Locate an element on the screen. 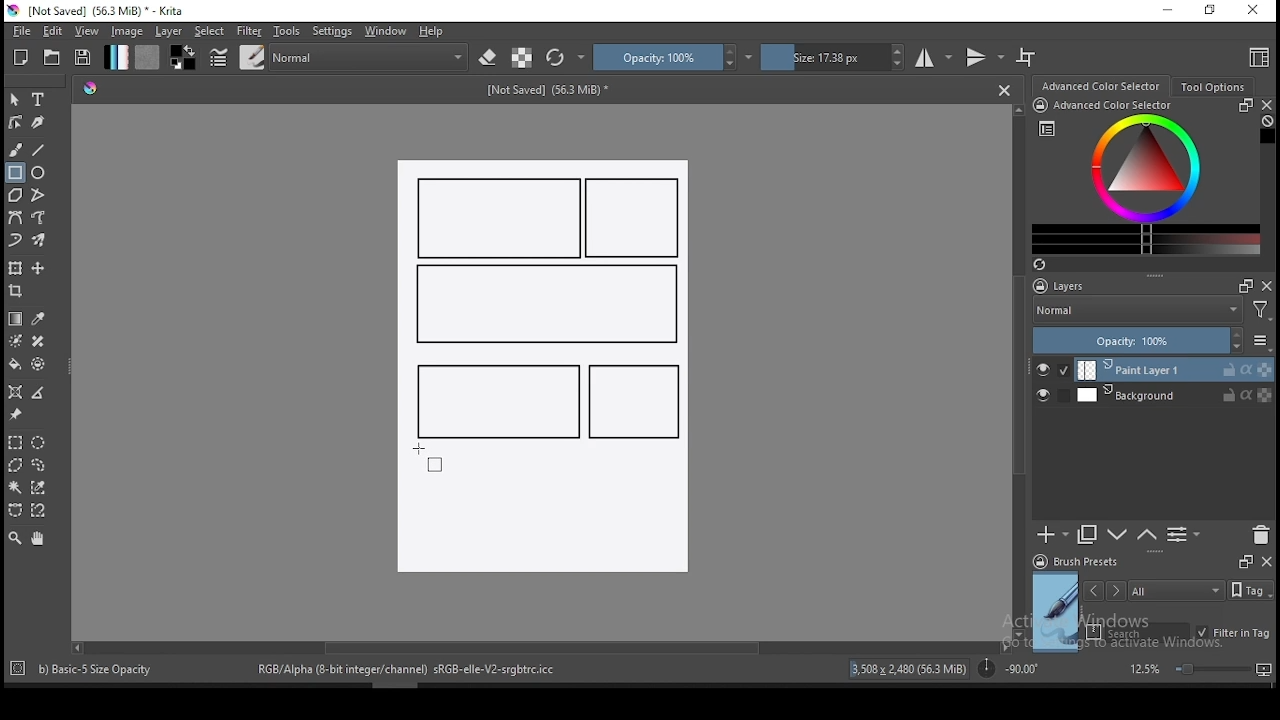 This screenshot has height=720, width=1280. new rectangle is located at coordinates (500, 218).